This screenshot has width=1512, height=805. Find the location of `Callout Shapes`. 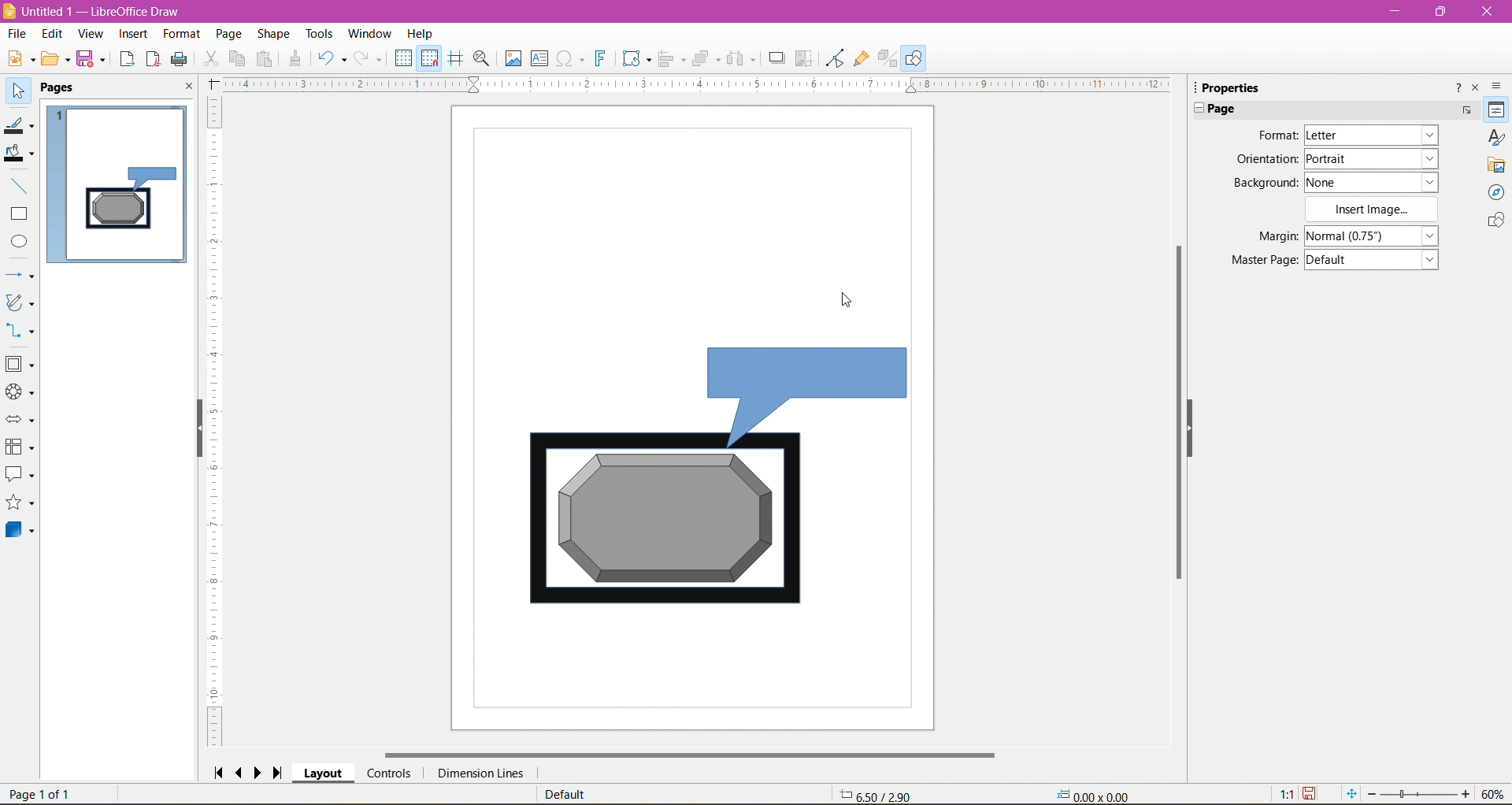

Callout Shapes is located at coordinates (20, 477).